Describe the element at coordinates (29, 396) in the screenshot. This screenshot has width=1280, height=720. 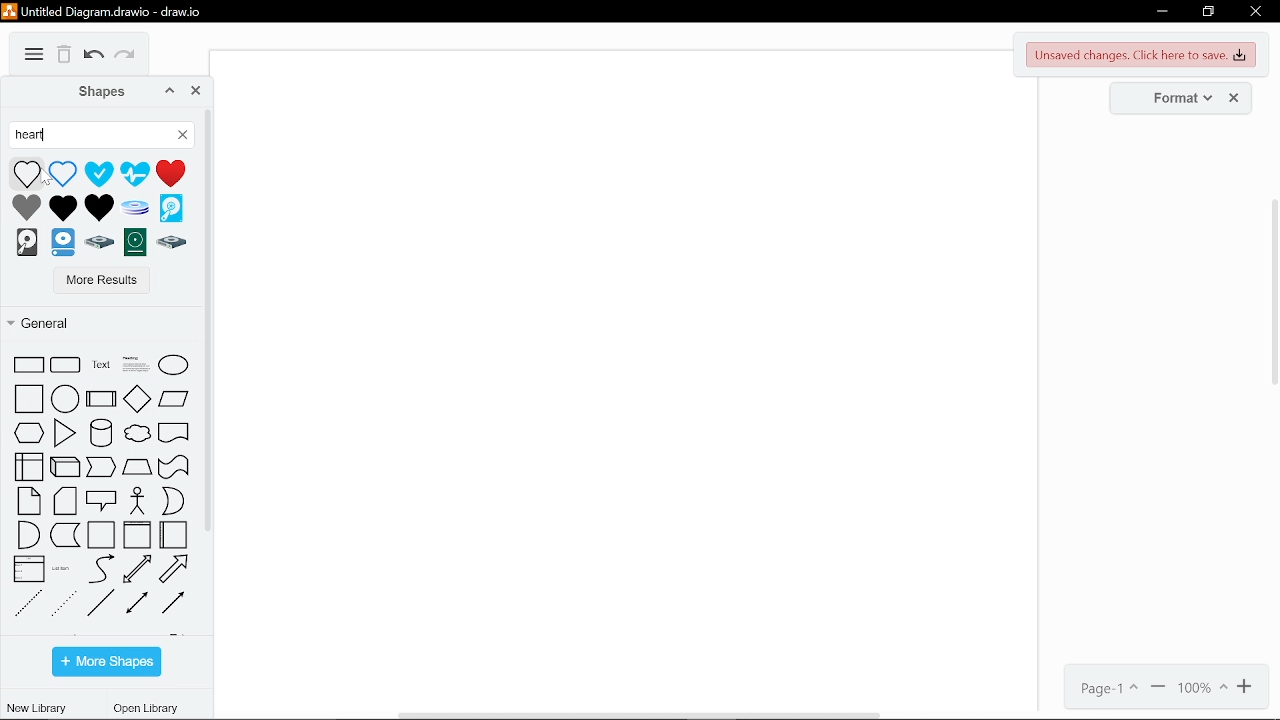
I see `square` at that location.